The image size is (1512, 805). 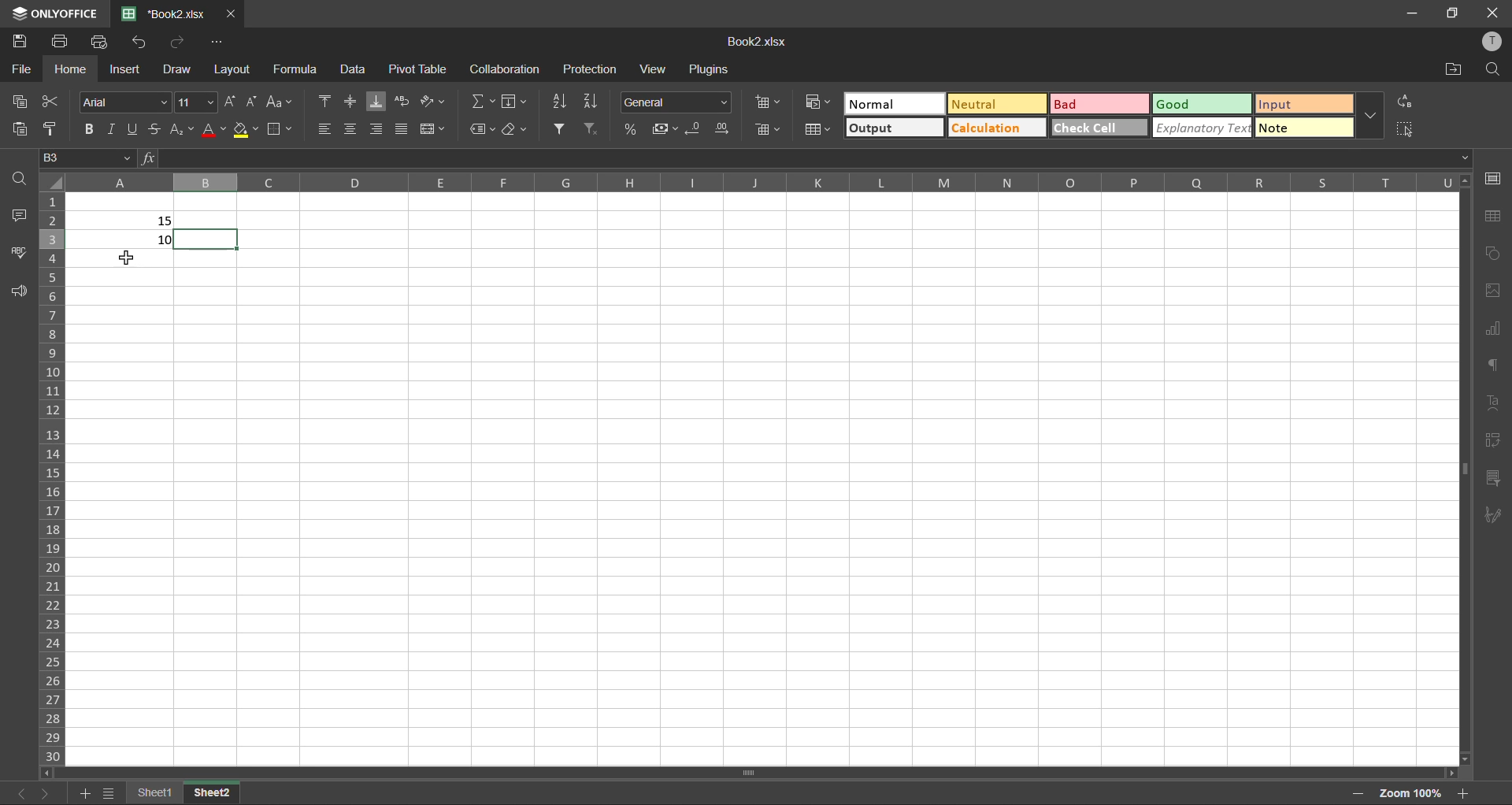 I want to click on formula, so click(x=302, y=69).